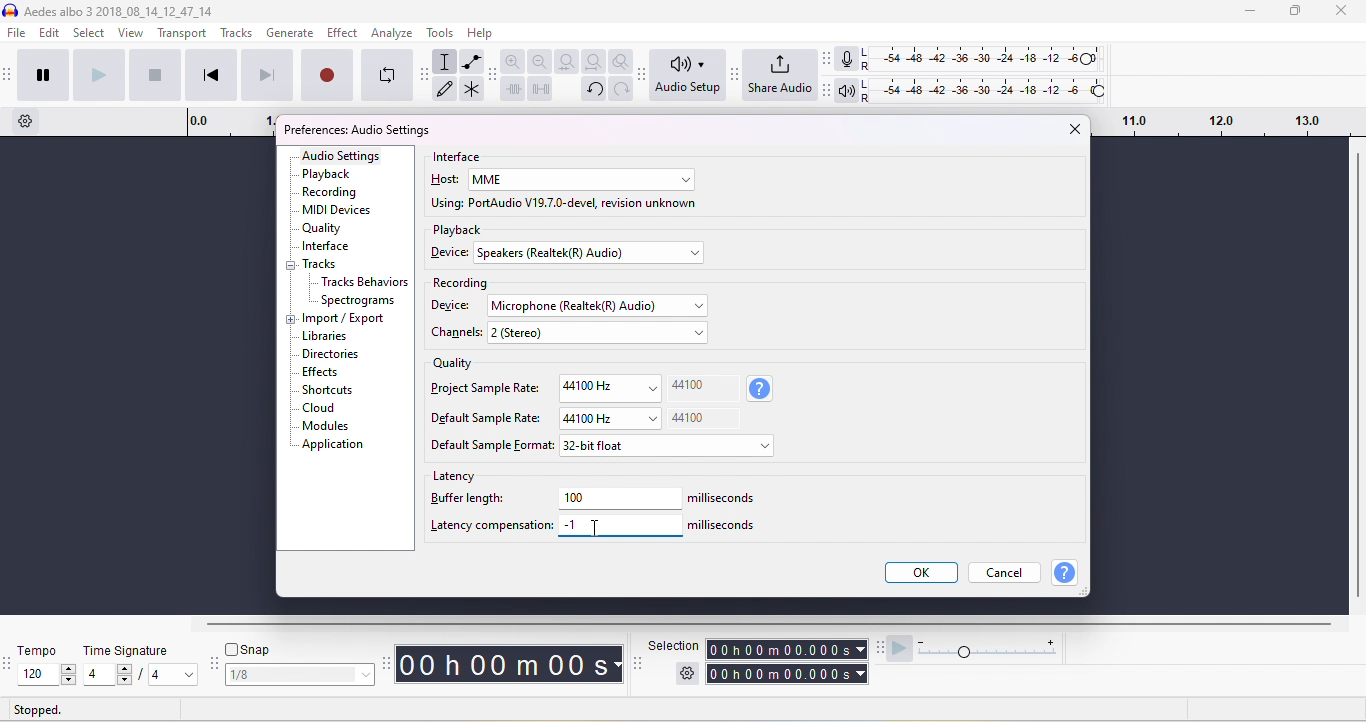 The image size is (1366, 722). Describe the element at coordinates (544, 92) in the screenshot. I see `silence the selection` at that location.